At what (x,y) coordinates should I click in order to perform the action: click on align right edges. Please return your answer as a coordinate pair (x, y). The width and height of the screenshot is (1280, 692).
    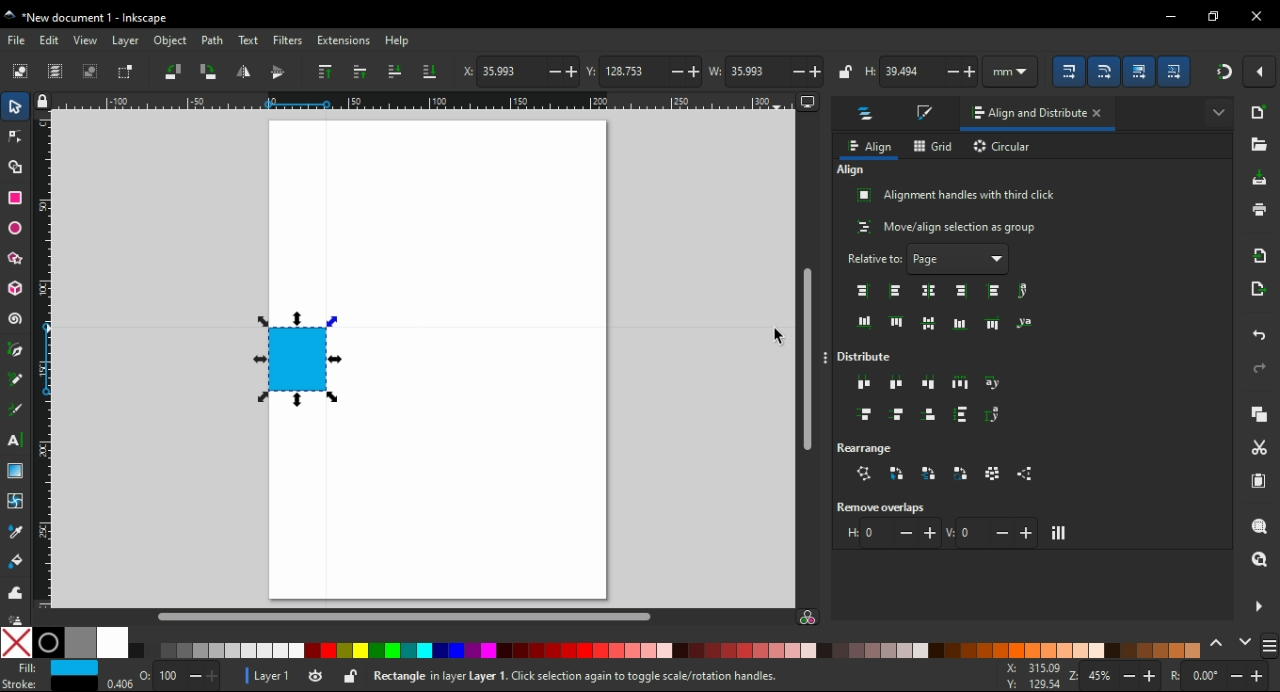
    Looking at the image, I should click on (961, 292).